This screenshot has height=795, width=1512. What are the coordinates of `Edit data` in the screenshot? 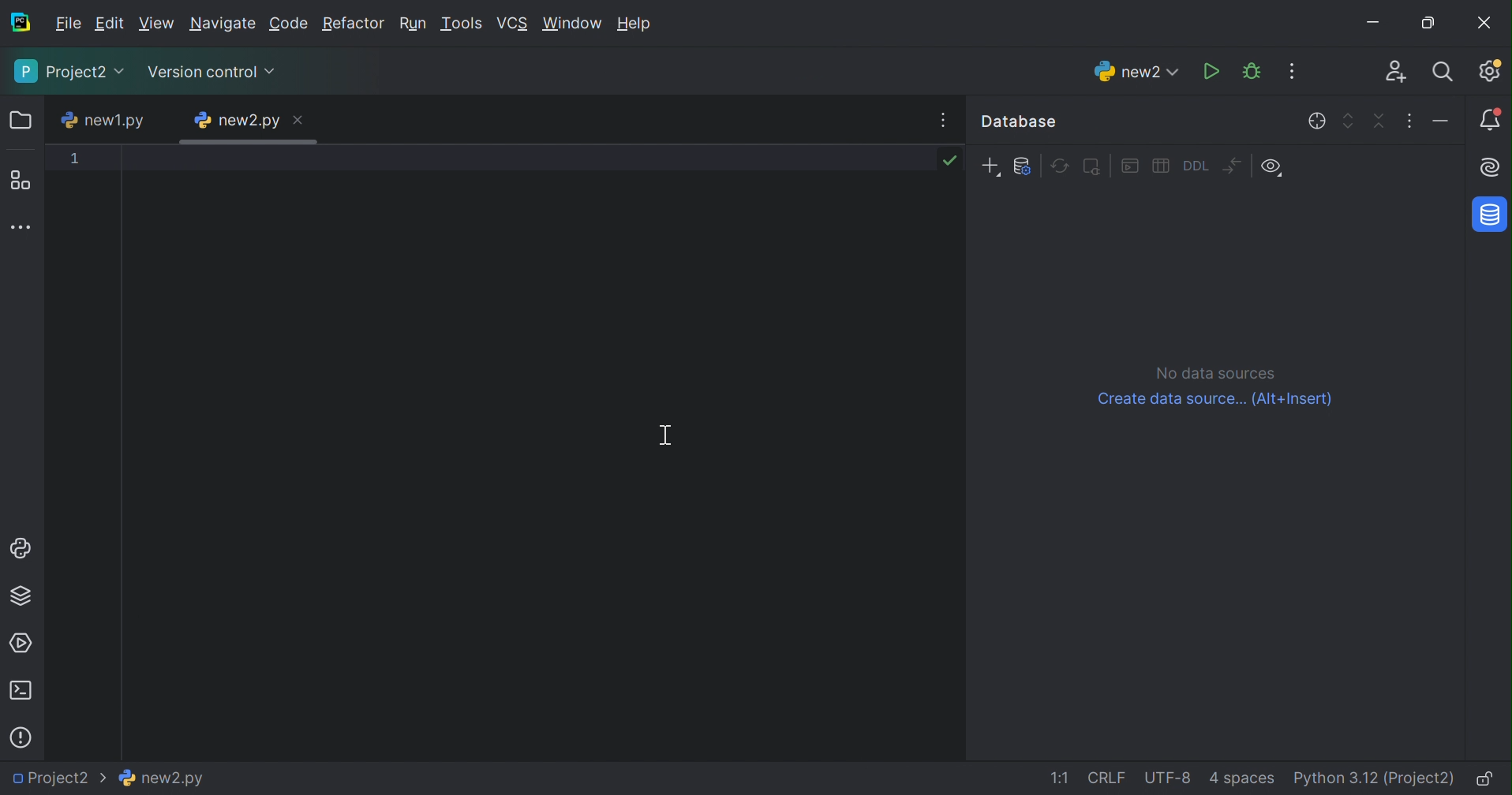 It's located at (1162, 164).